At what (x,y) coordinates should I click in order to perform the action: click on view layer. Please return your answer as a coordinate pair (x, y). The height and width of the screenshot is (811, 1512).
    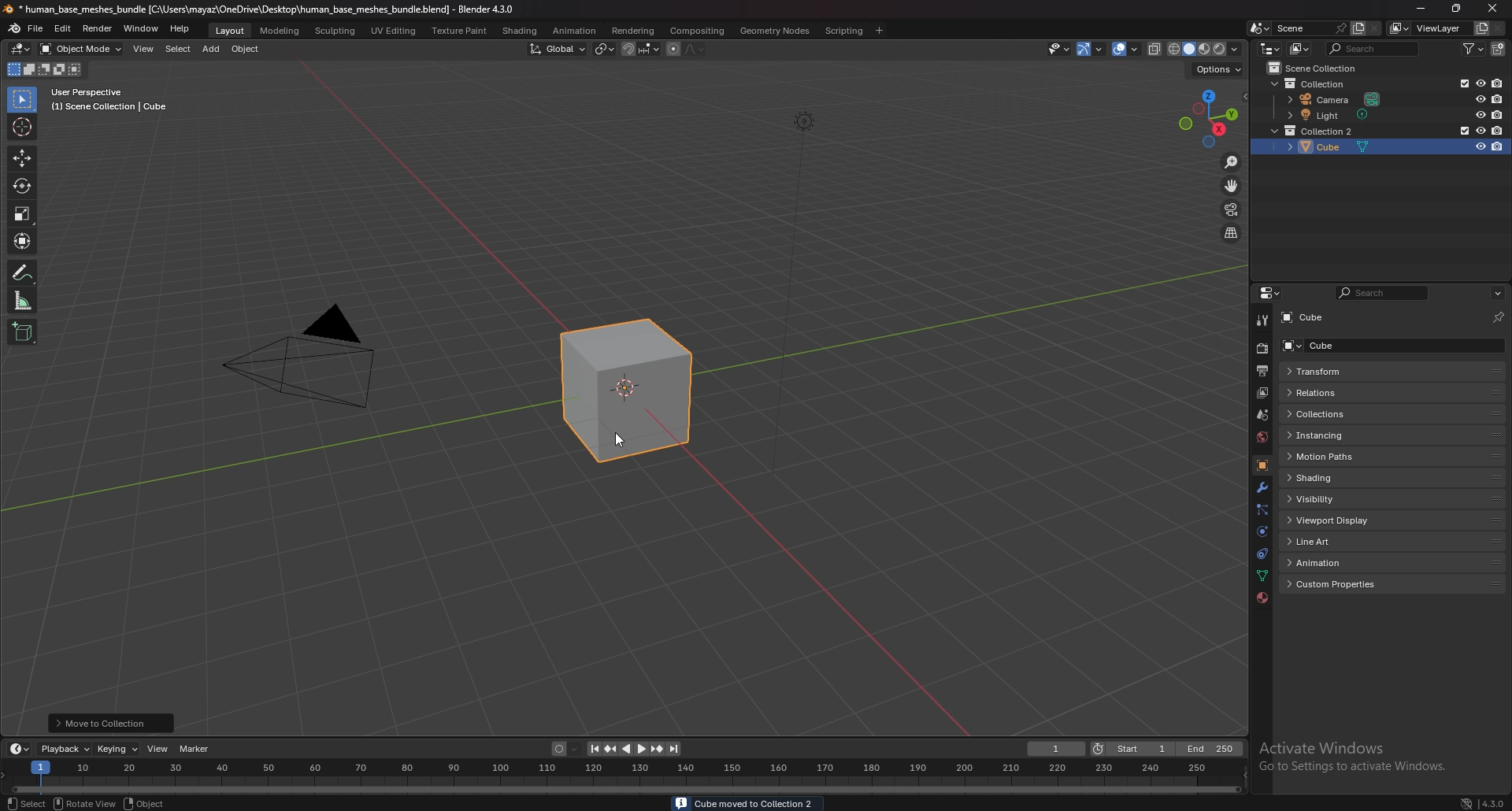
    Looking at the image, I should click on (1262, 393).